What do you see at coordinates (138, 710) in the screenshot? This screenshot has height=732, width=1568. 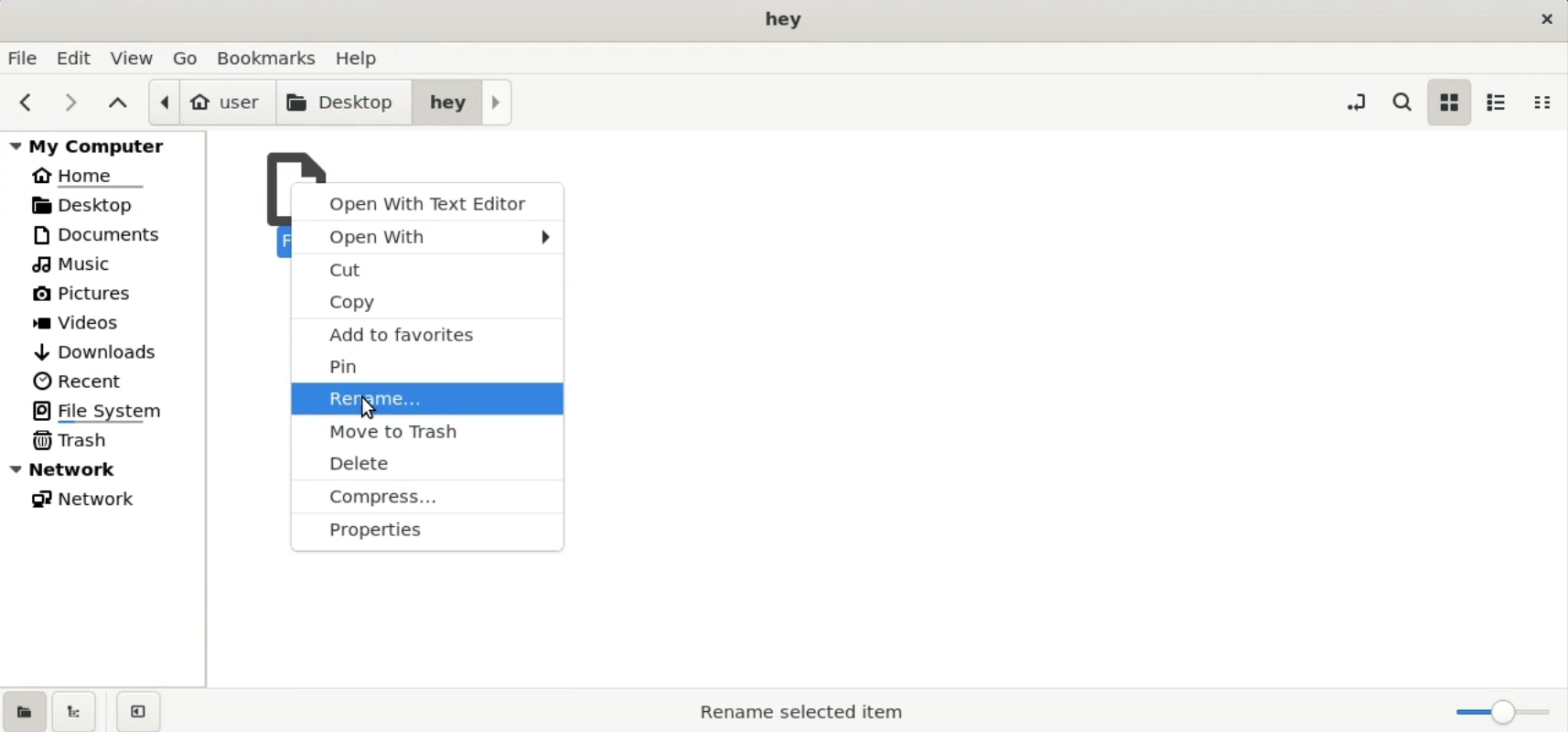 I see `close sidebars` at bounding box center [138, 710].